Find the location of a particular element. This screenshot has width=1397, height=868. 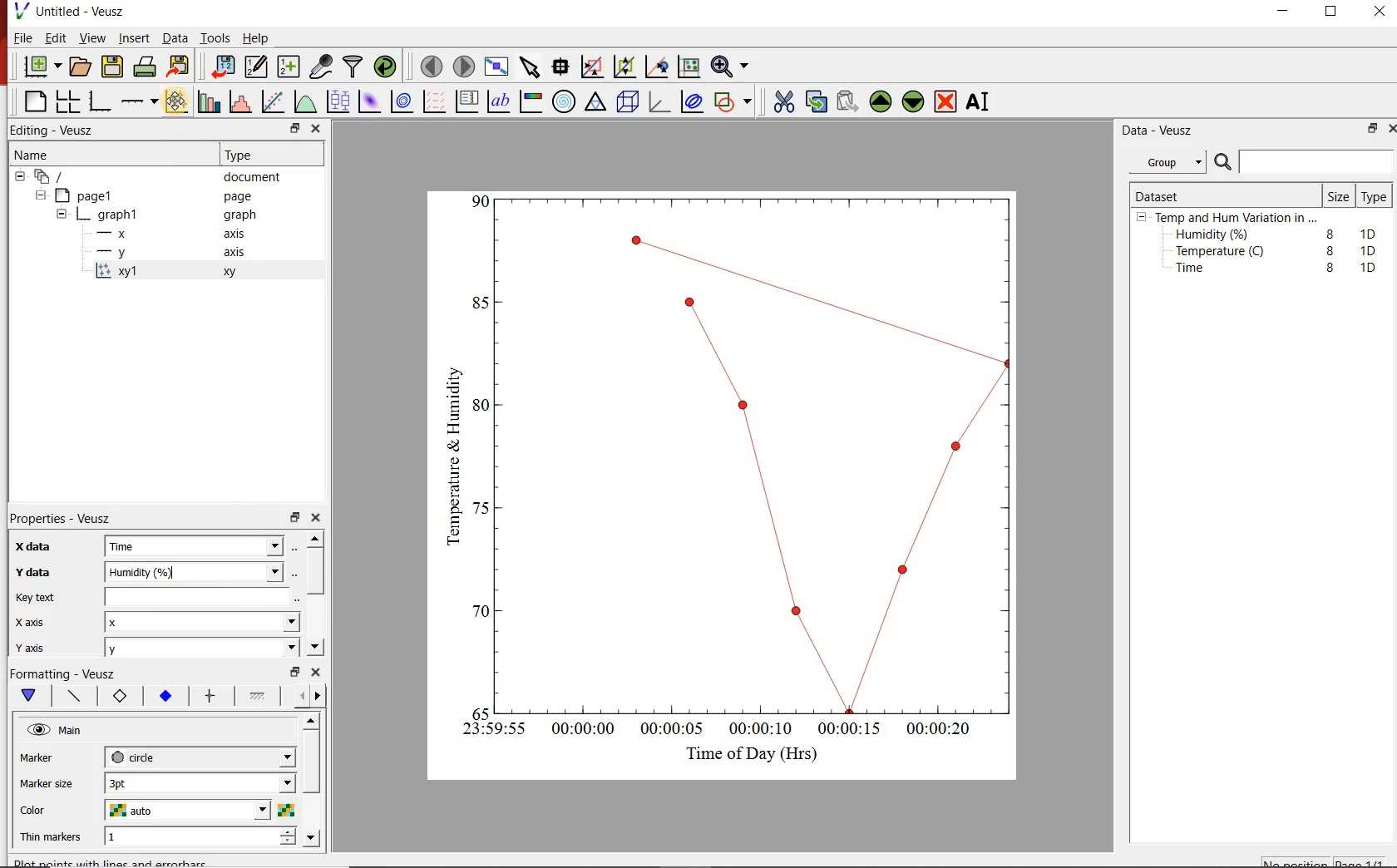

hide sub menu is located at coordinates (18, 179).